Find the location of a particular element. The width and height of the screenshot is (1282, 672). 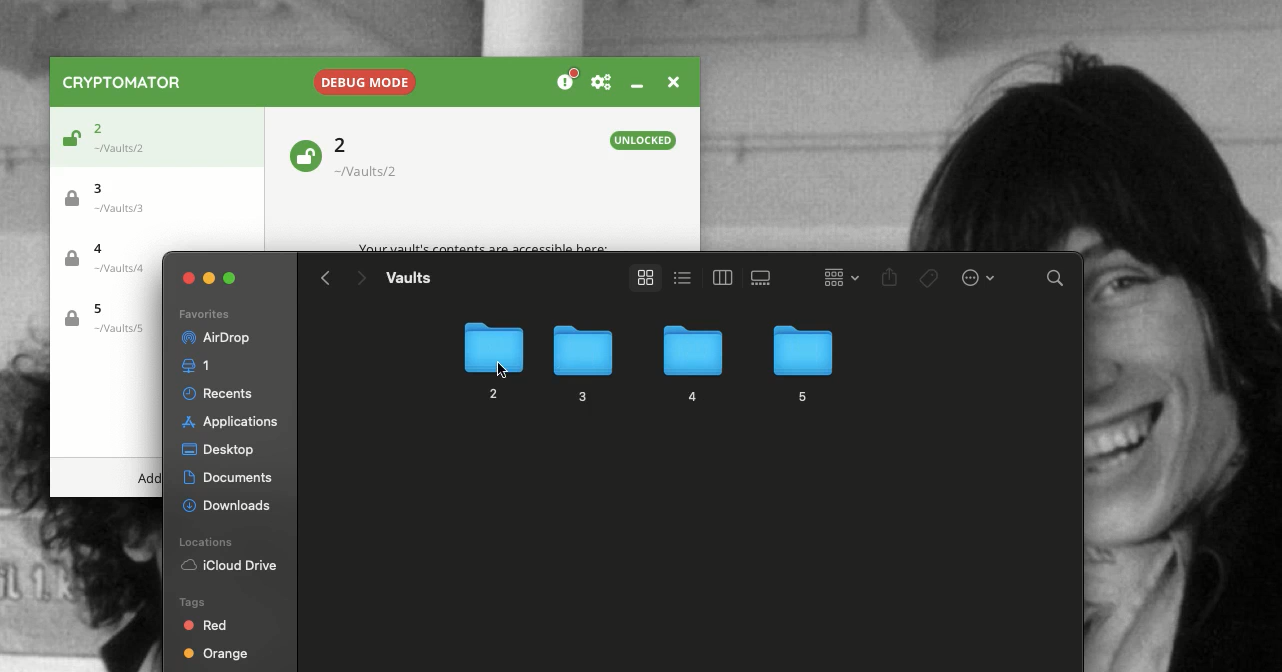

5 is located at coordinates (801, 361).